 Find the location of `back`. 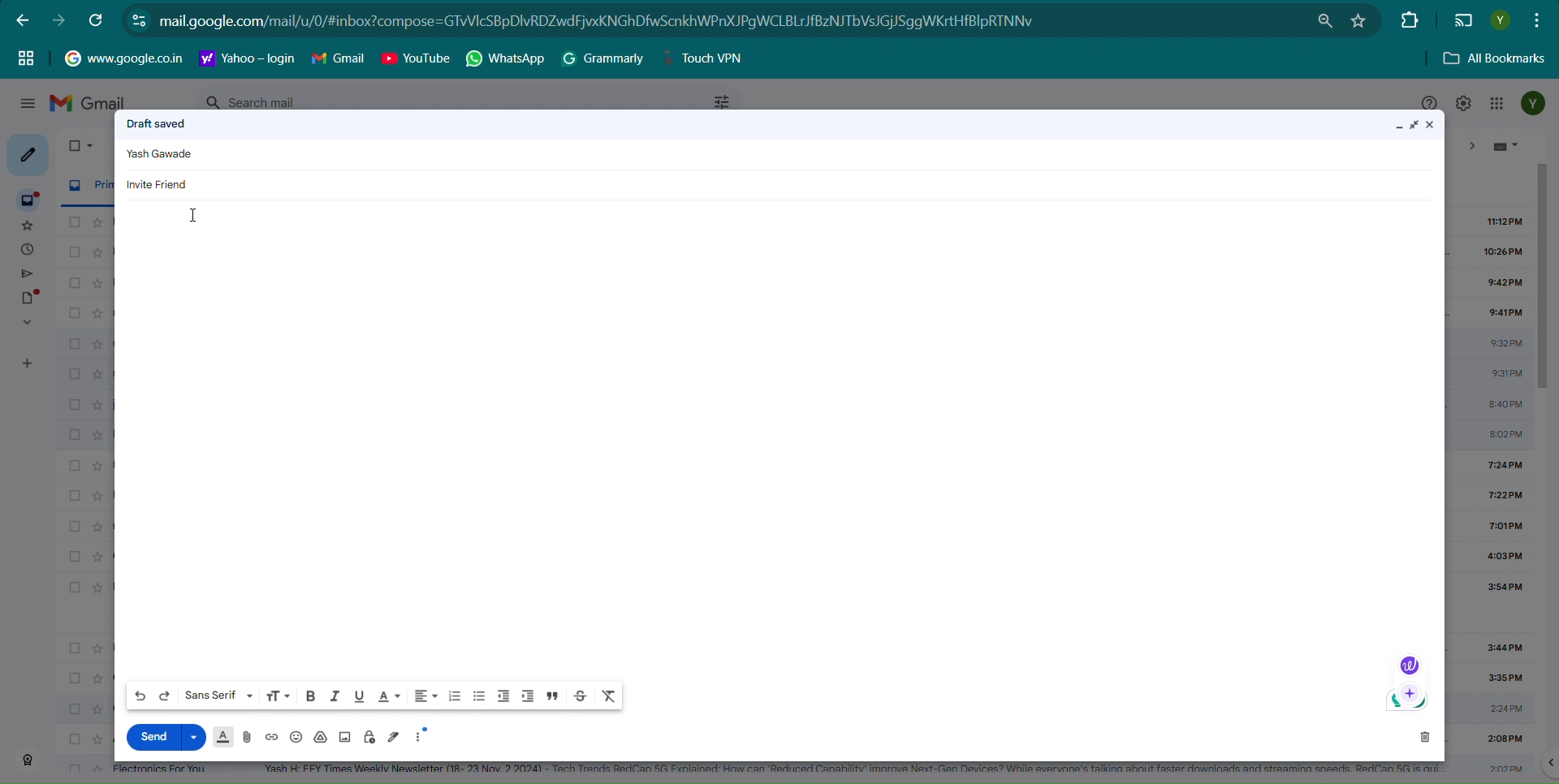

back is located at coordinates (23, 19).